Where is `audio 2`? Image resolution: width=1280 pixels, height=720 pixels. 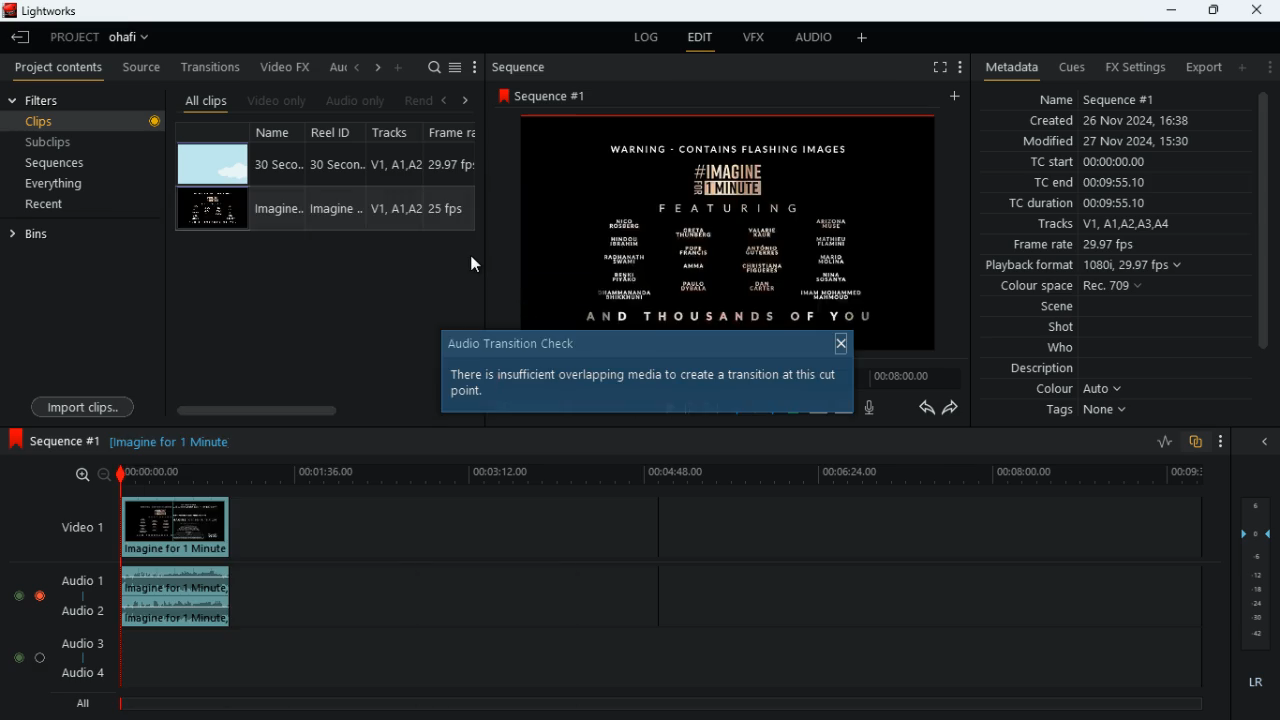
audio 2 is located at coordinates (78, 613).